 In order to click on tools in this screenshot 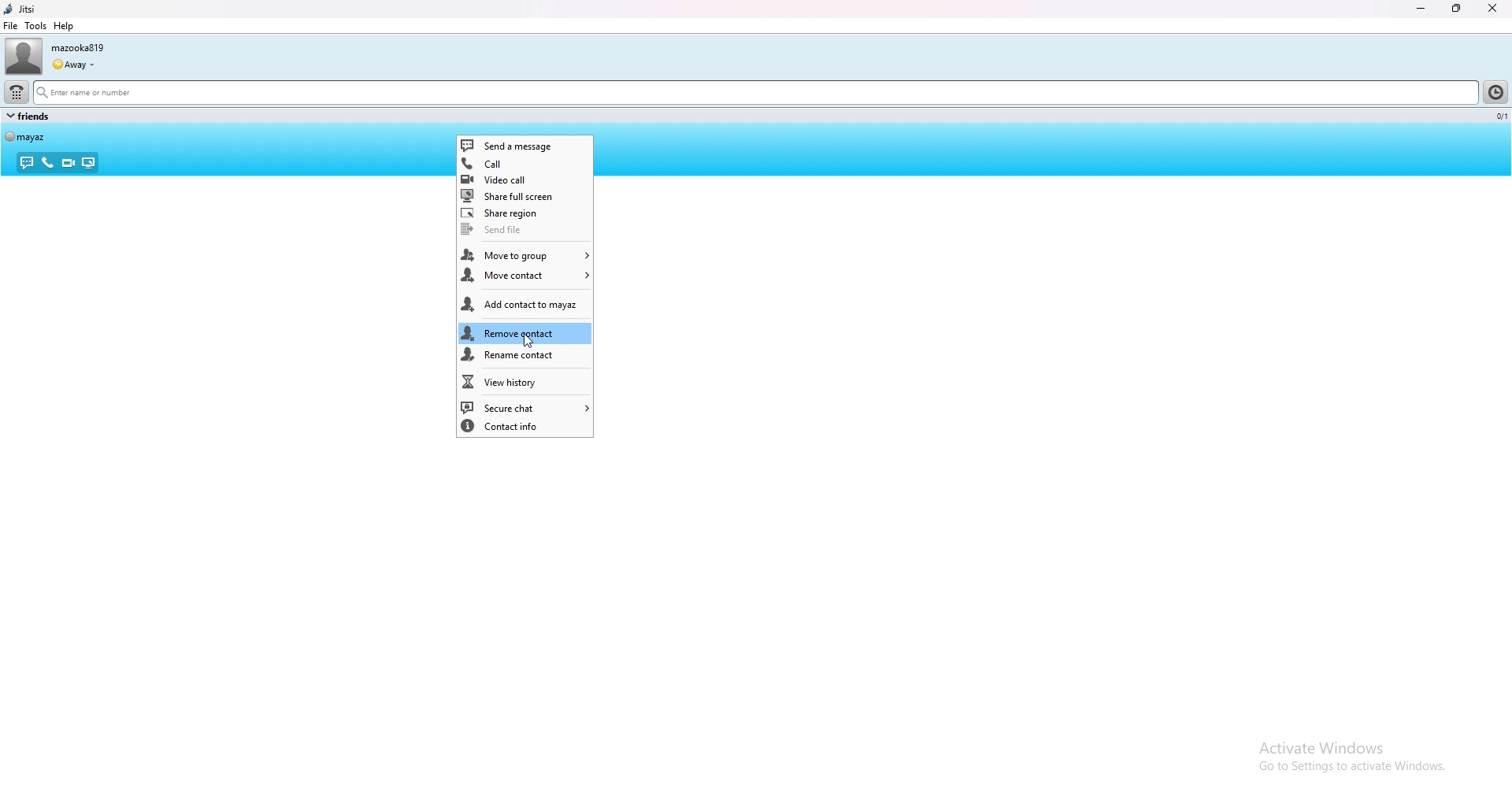, I will do `click(35, 25)`.